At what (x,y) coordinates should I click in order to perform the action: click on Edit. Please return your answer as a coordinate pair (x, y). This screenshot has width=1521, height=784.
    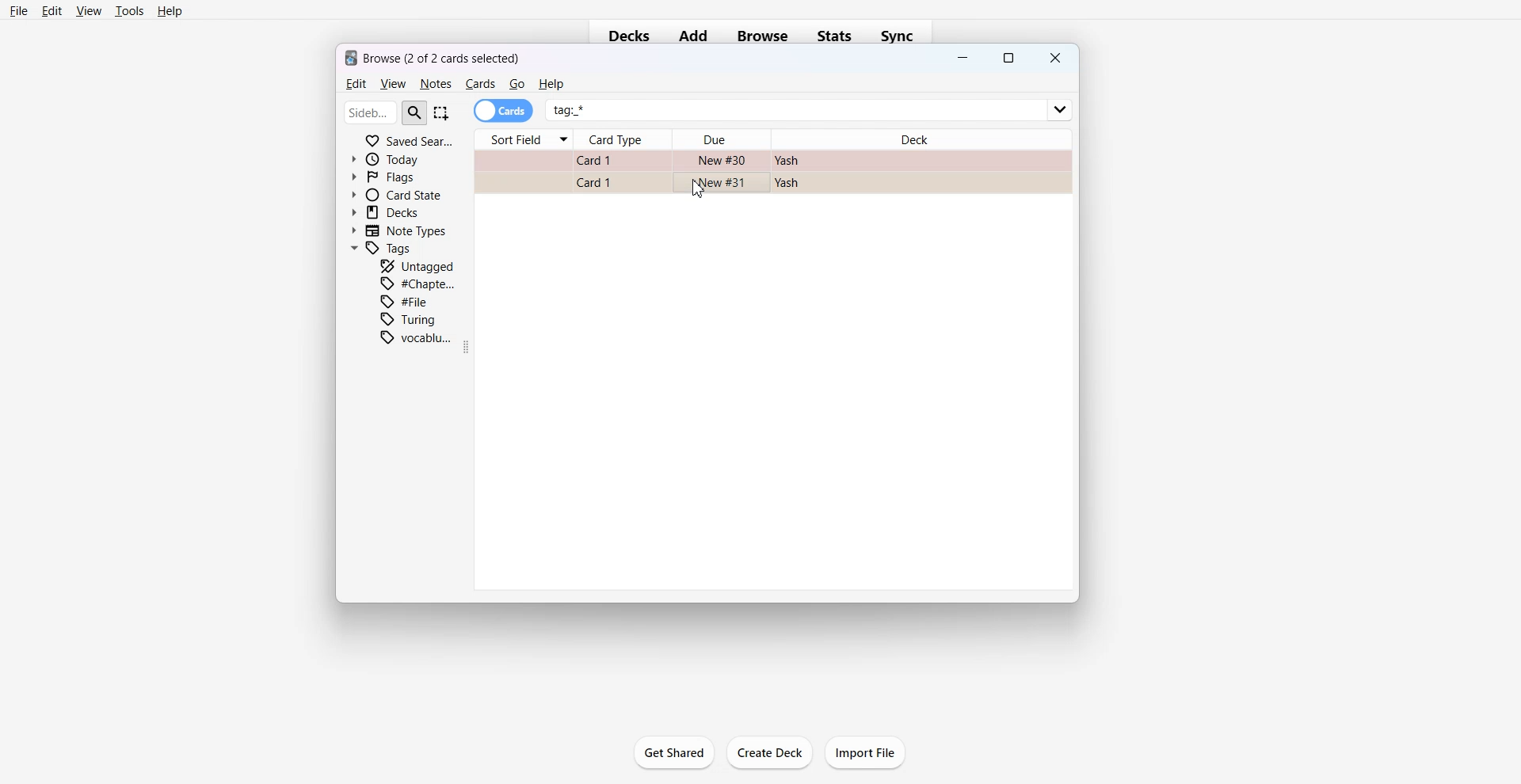
    Looking at the image, I should click on (354, 84).